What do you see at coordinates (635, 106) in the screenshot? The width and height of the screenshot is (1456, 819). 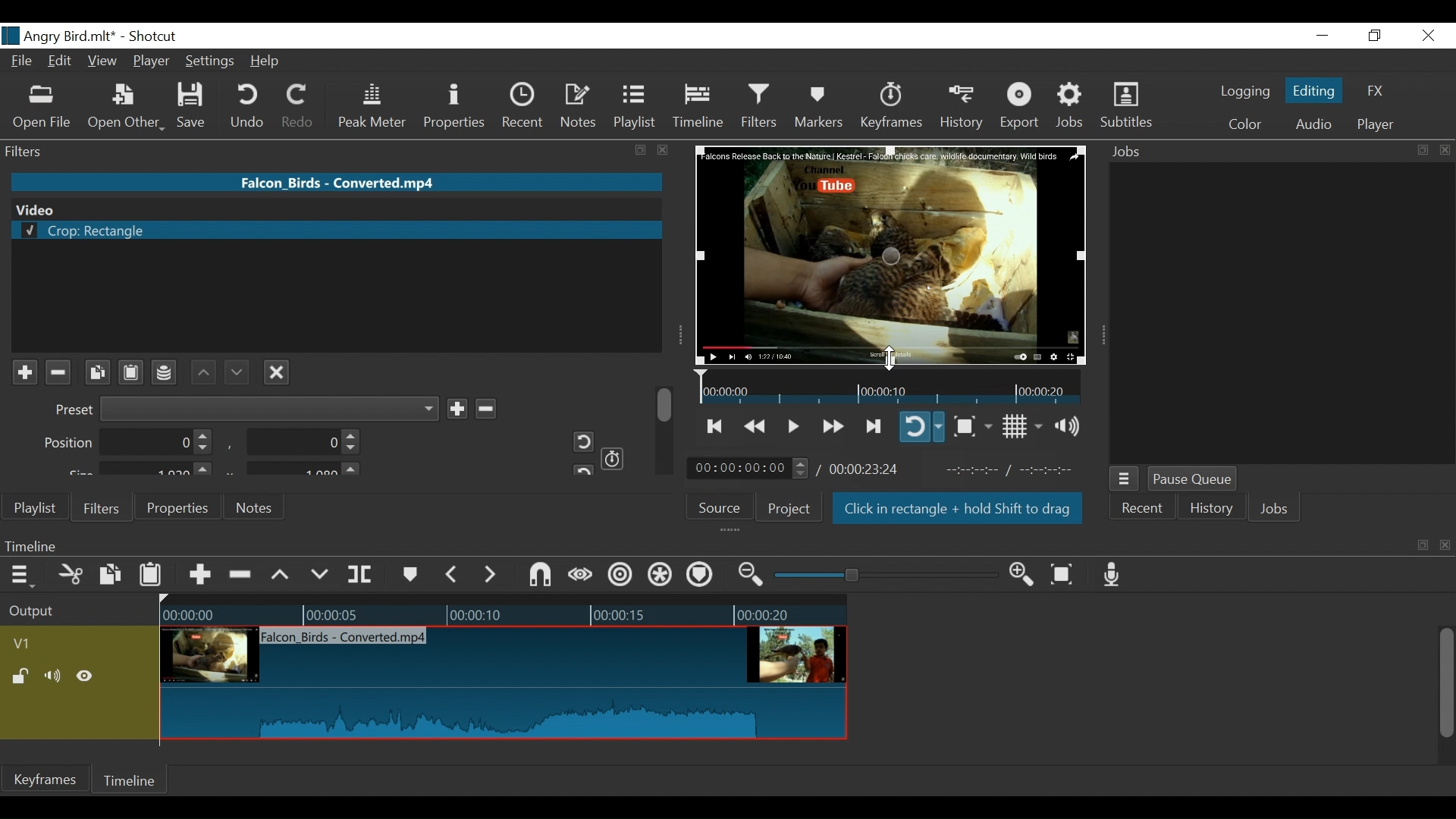 I see `Playlist` at bounding box center [635, 106].